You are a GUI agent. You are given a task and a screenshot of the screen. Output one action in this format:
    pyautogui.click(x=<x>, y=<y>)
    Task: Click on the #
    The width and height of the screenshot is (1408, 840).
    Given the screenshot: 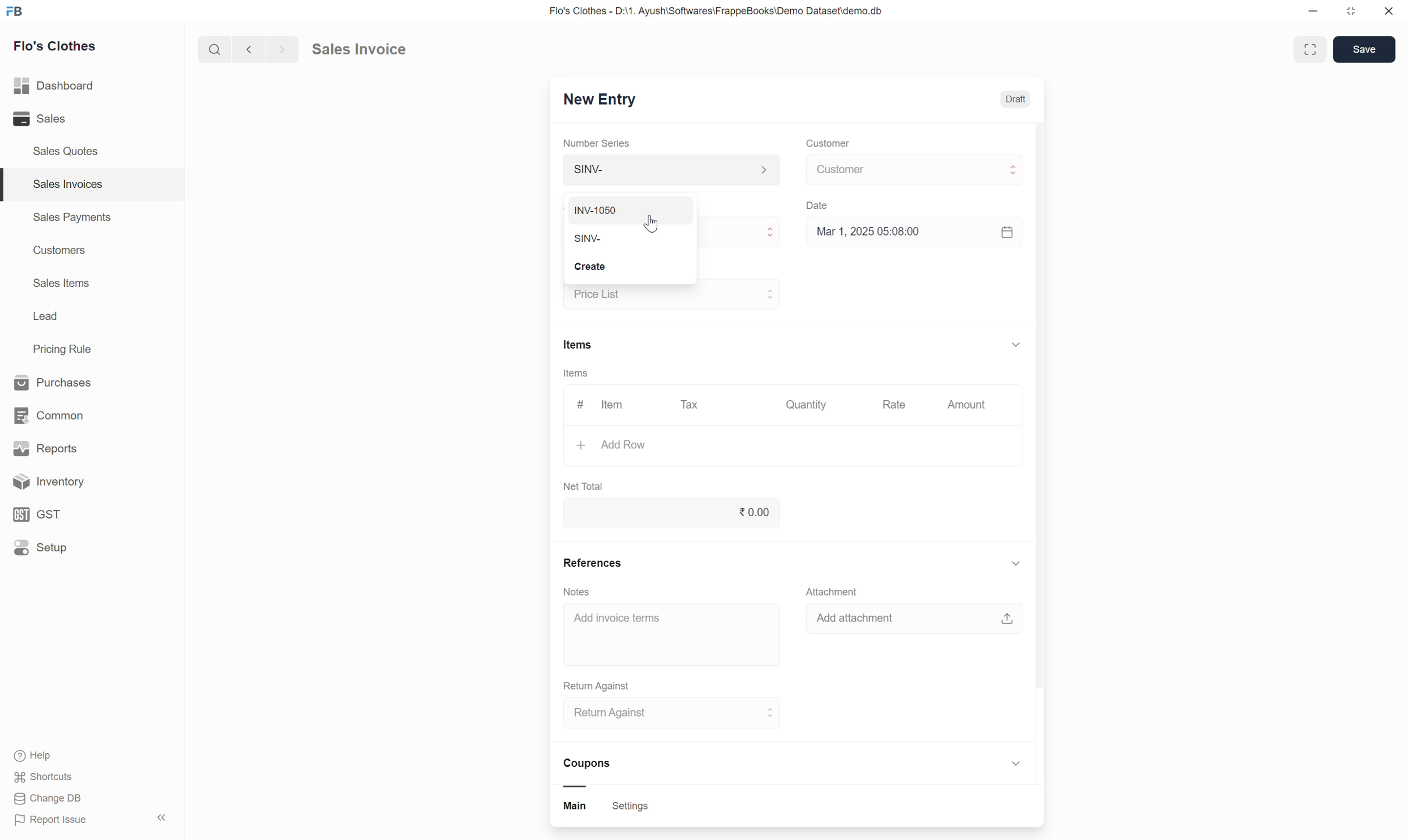 What is the action you would take?
    pyautogui.click(x=577, y=405)
    